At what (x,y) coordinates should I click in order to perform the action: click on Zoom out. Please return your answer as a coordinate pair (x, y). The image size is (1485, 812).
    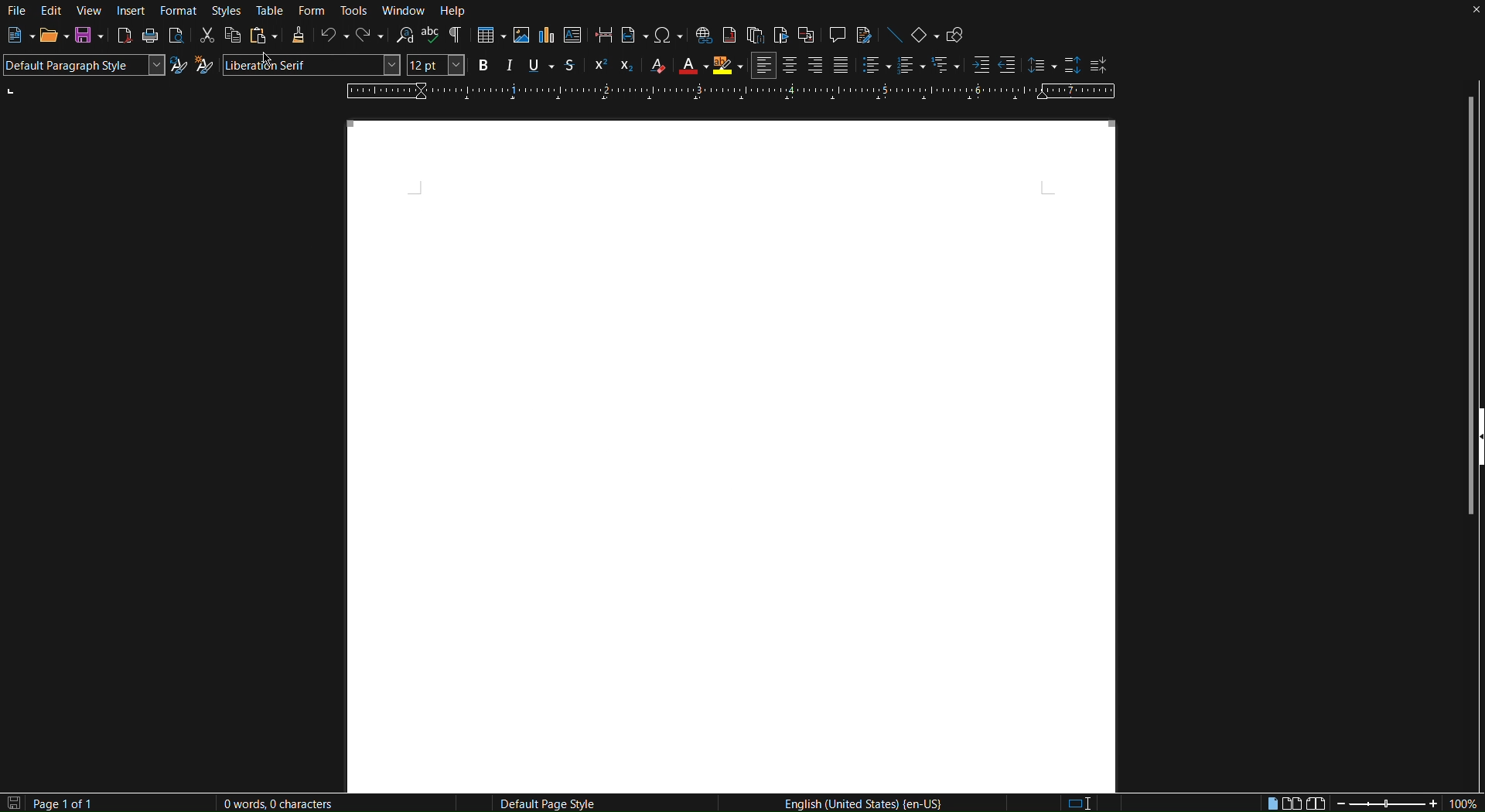
    Looking at the image, I should click on (1342, 803).